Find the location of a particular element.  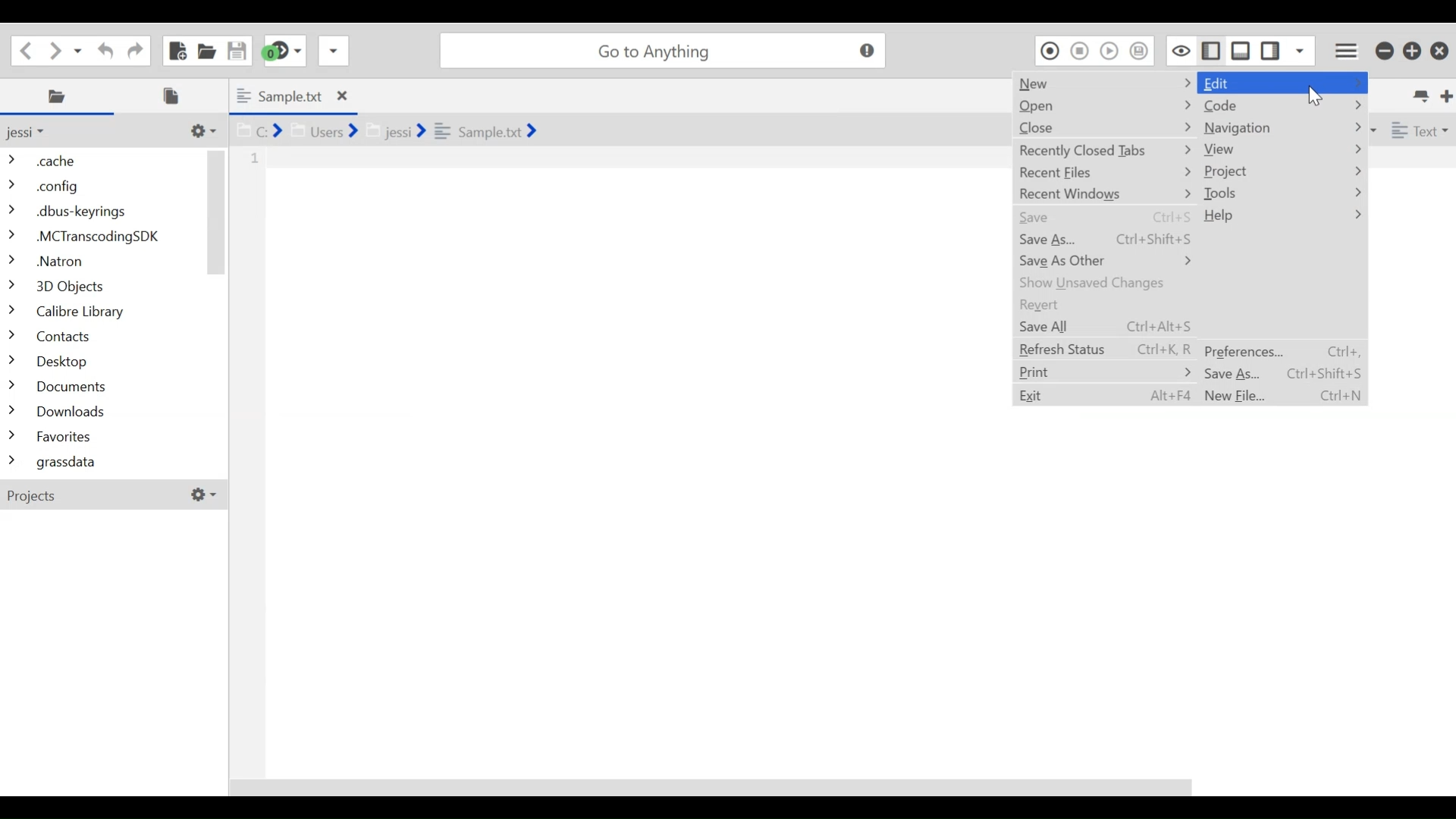

Share current file is located at coordinates (333, 50).